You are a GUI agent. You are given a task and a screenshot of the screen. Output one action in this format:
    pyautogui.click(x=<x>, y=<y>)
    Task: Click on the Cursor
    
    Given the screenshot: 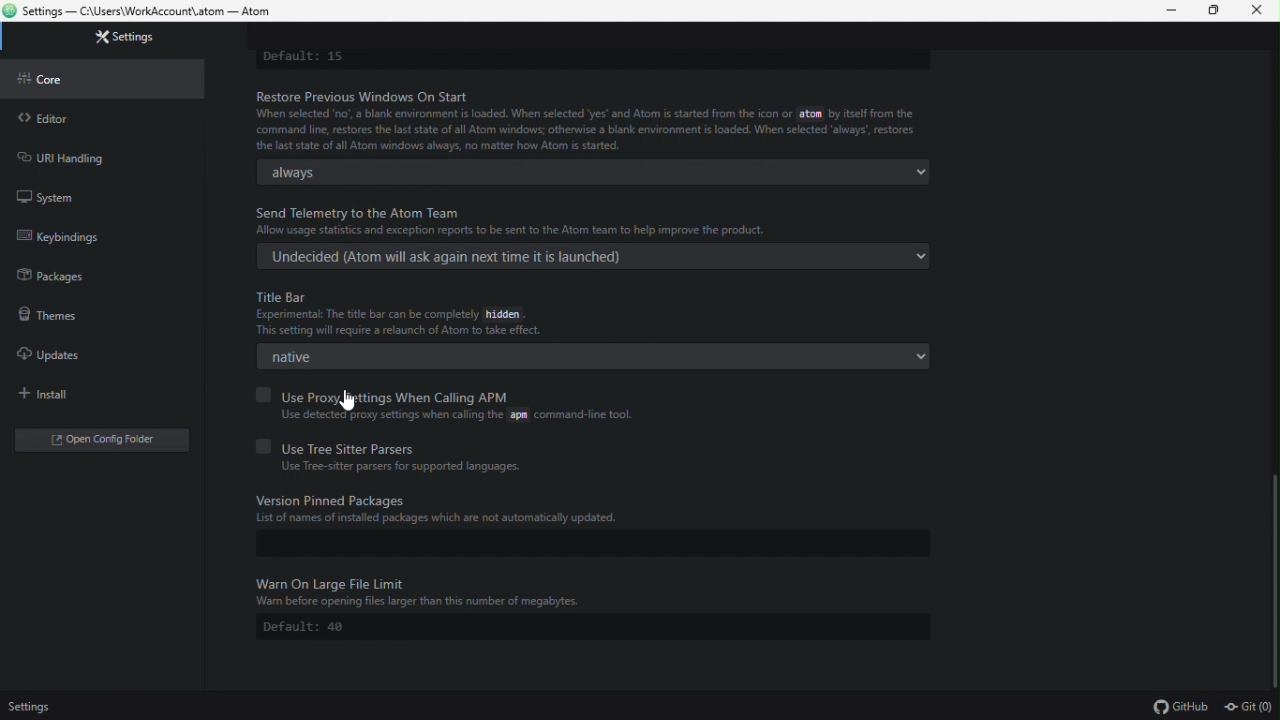 What is the action you would take?
    pyautogui.click(x=347, y=401)
    